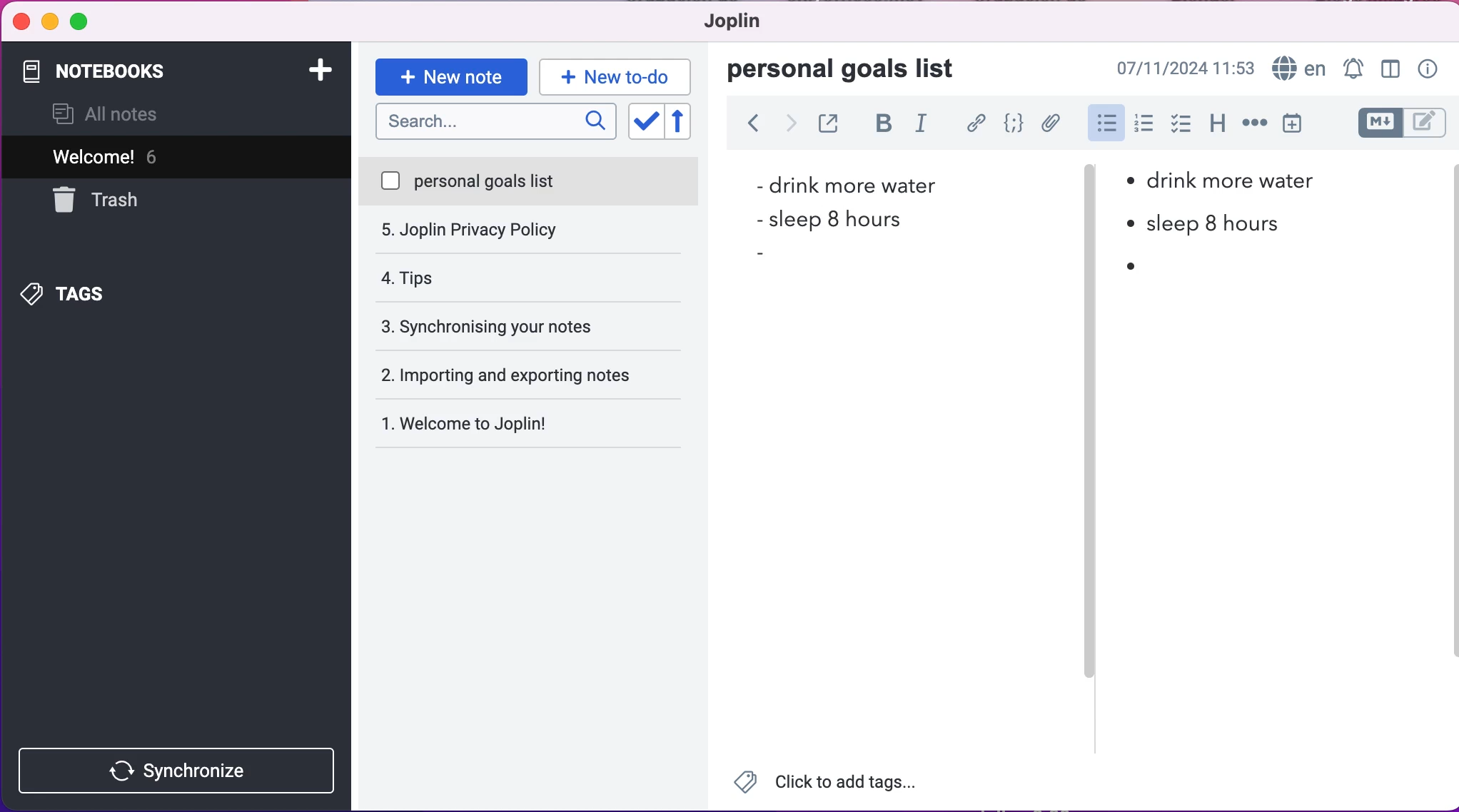 The height and width of the screenshot is (812, 1459). What do you see at coordinates (924, 127) in the screenshot?
I see `italic` at bounding box center [924, 127].